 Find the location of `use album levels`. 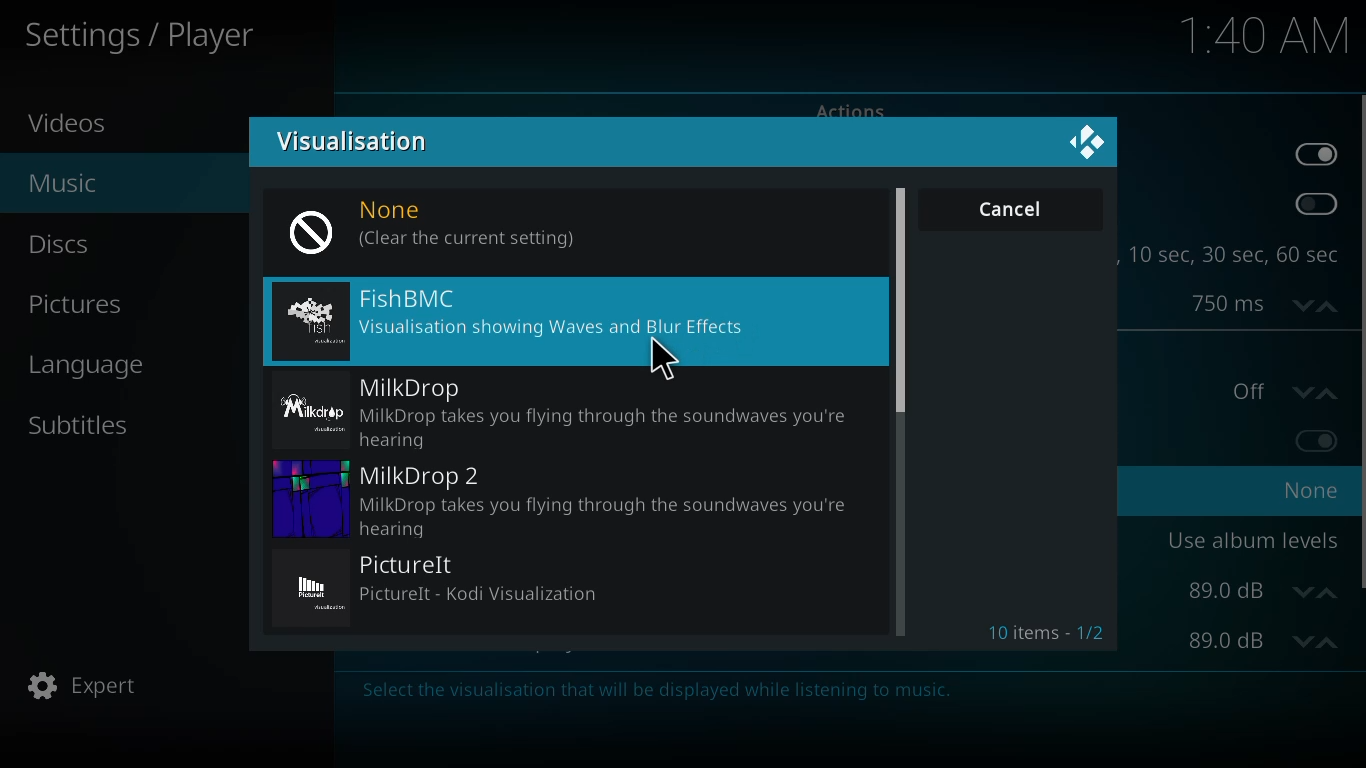

use album levels is located at coordinates (1252, 539).